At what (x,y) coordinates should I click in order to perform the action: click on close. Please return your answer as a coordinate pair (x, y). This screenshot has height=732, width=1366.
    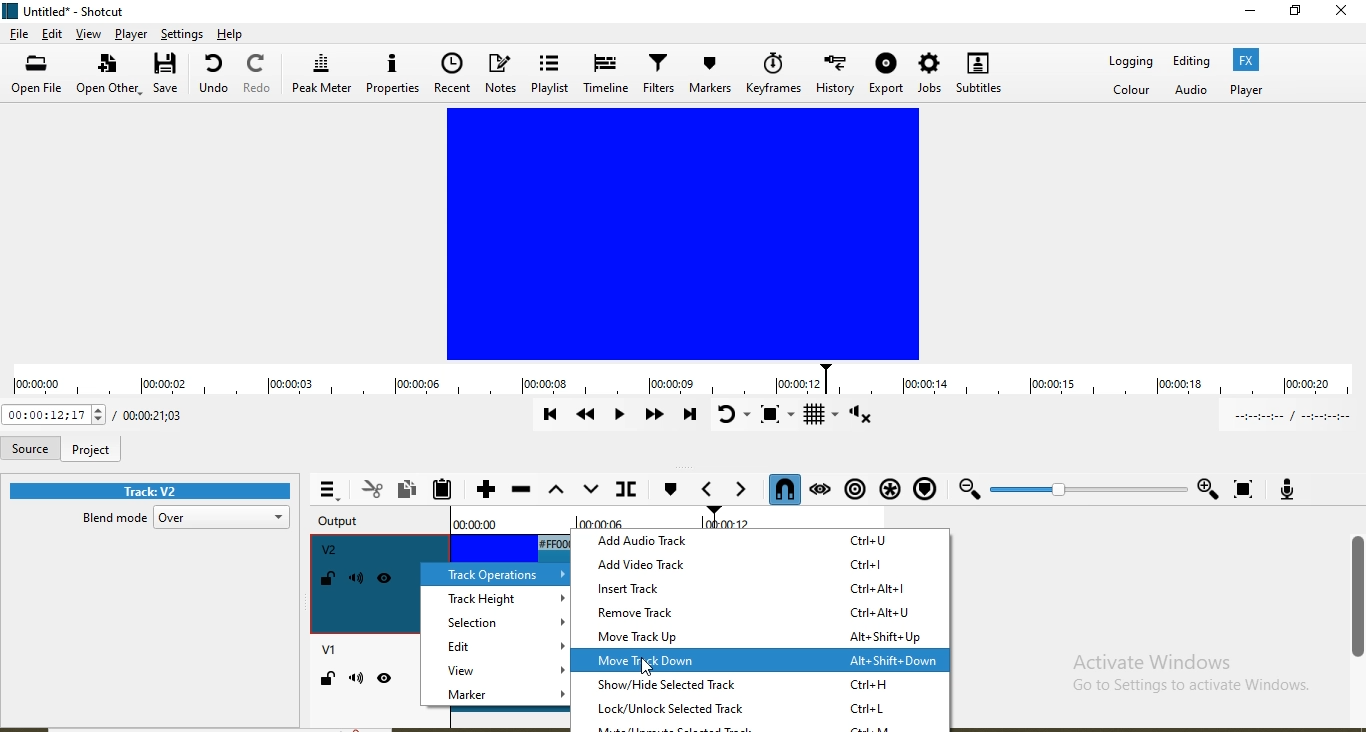
    Looking at the image, I should click on (1342, 21).